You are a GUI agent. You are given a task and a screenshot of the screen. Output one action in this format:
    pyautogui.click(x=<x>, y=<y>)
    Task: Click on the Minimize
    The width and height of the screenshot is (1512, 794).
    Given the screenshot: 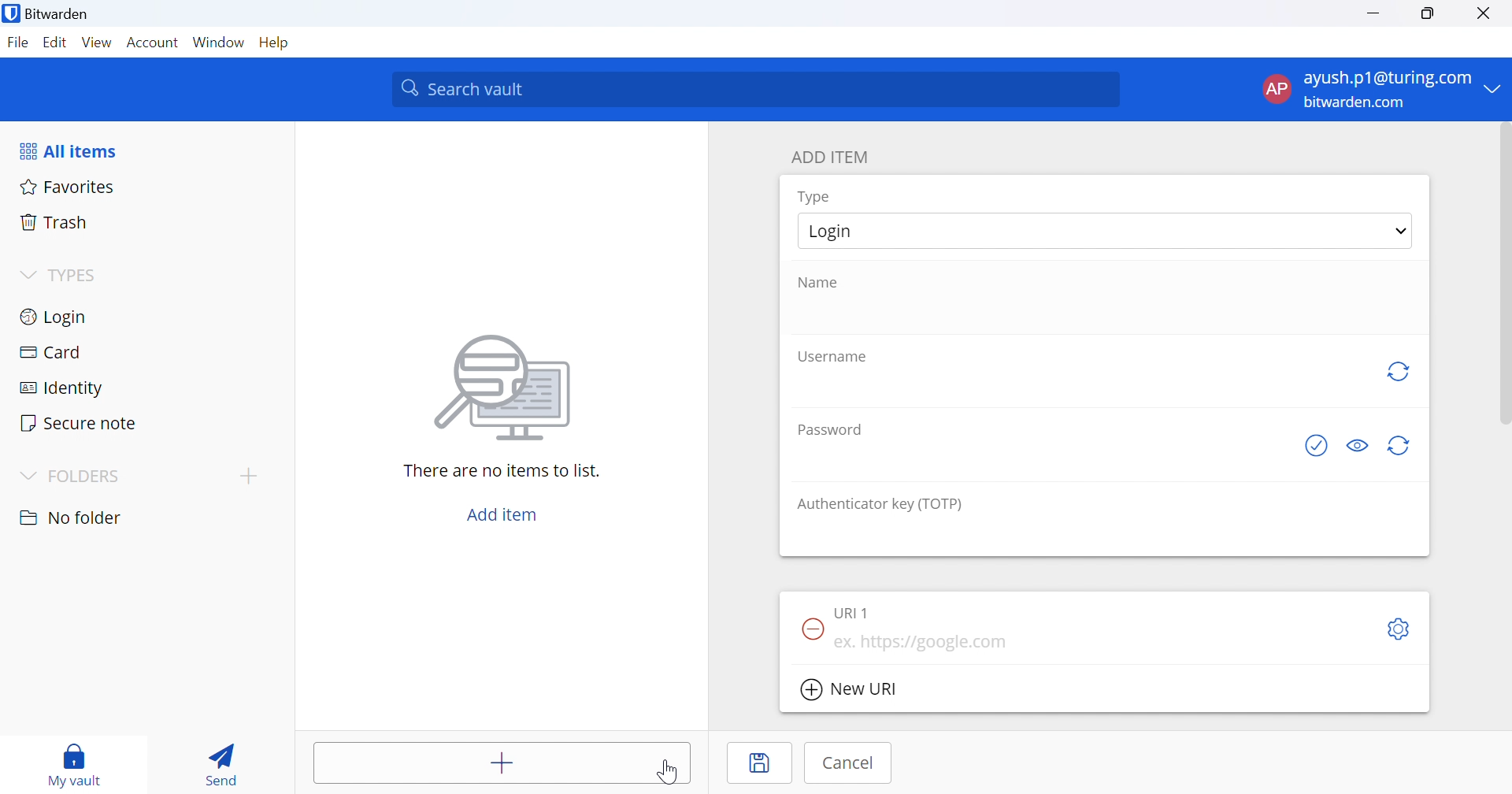 What is the action you would take?
    pyautogui.click(x=1373, y=15)
    